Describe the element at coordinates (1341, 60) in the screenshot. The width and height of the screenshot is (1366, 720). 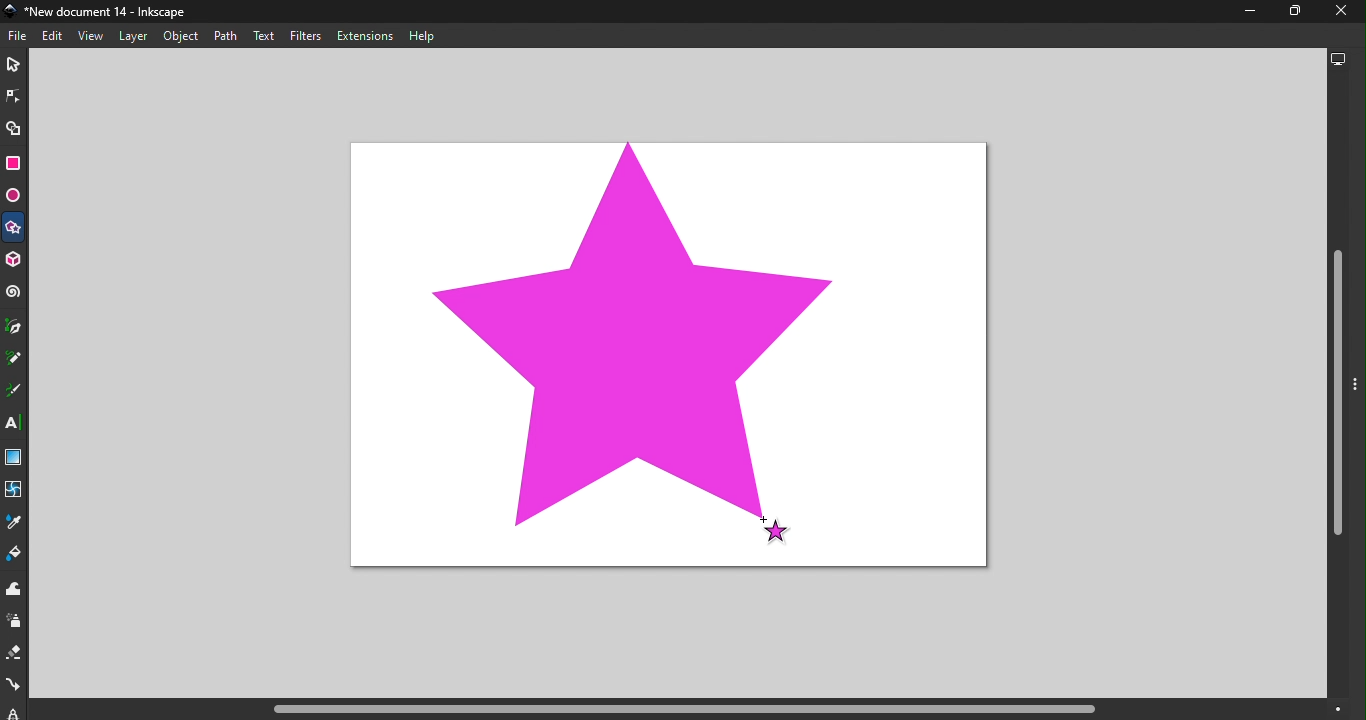
I see `Display options` at that location.